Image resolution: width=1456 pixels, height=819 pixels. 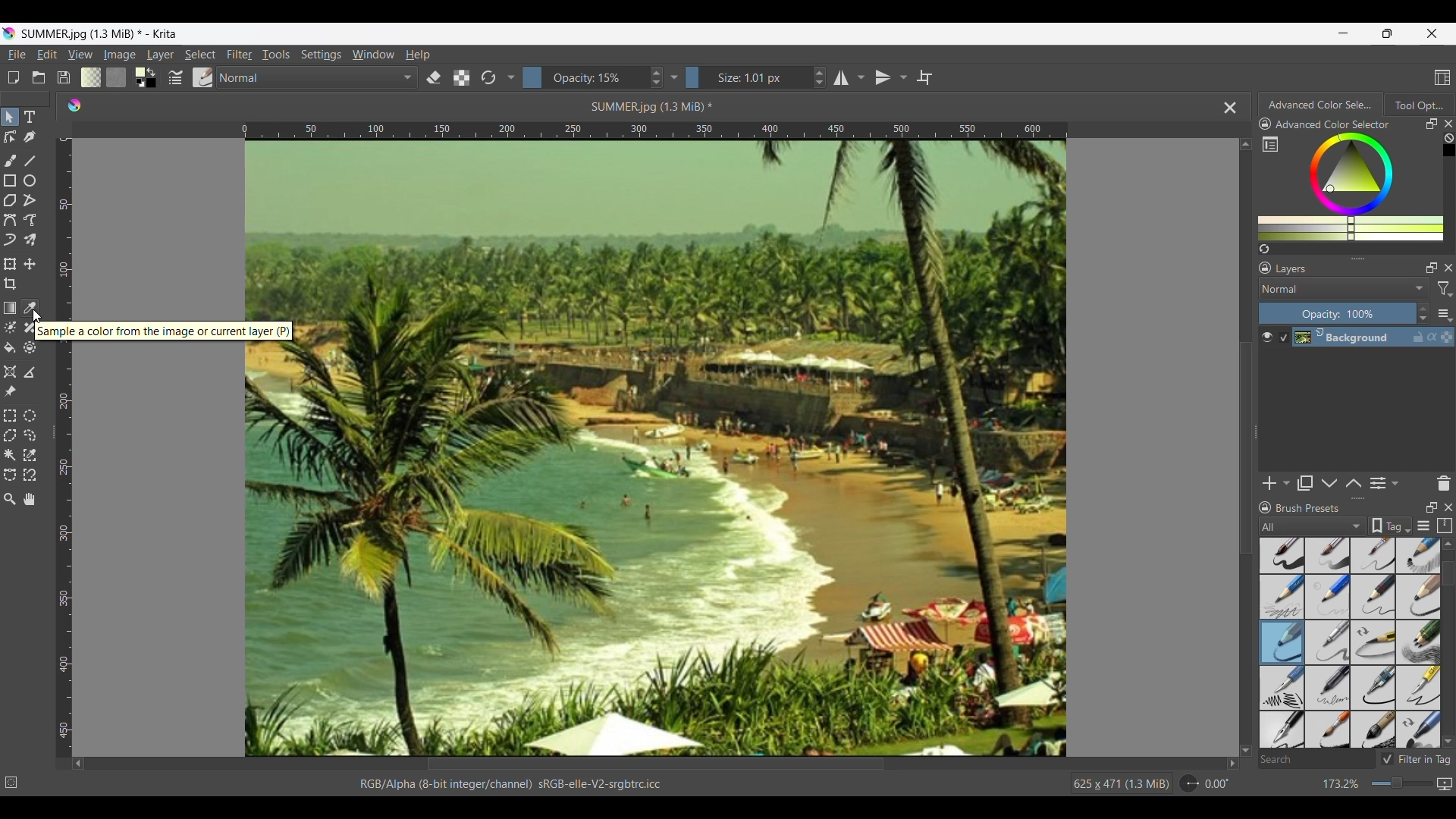 I want to click on Set erase mode, so click(x=434, y=78).